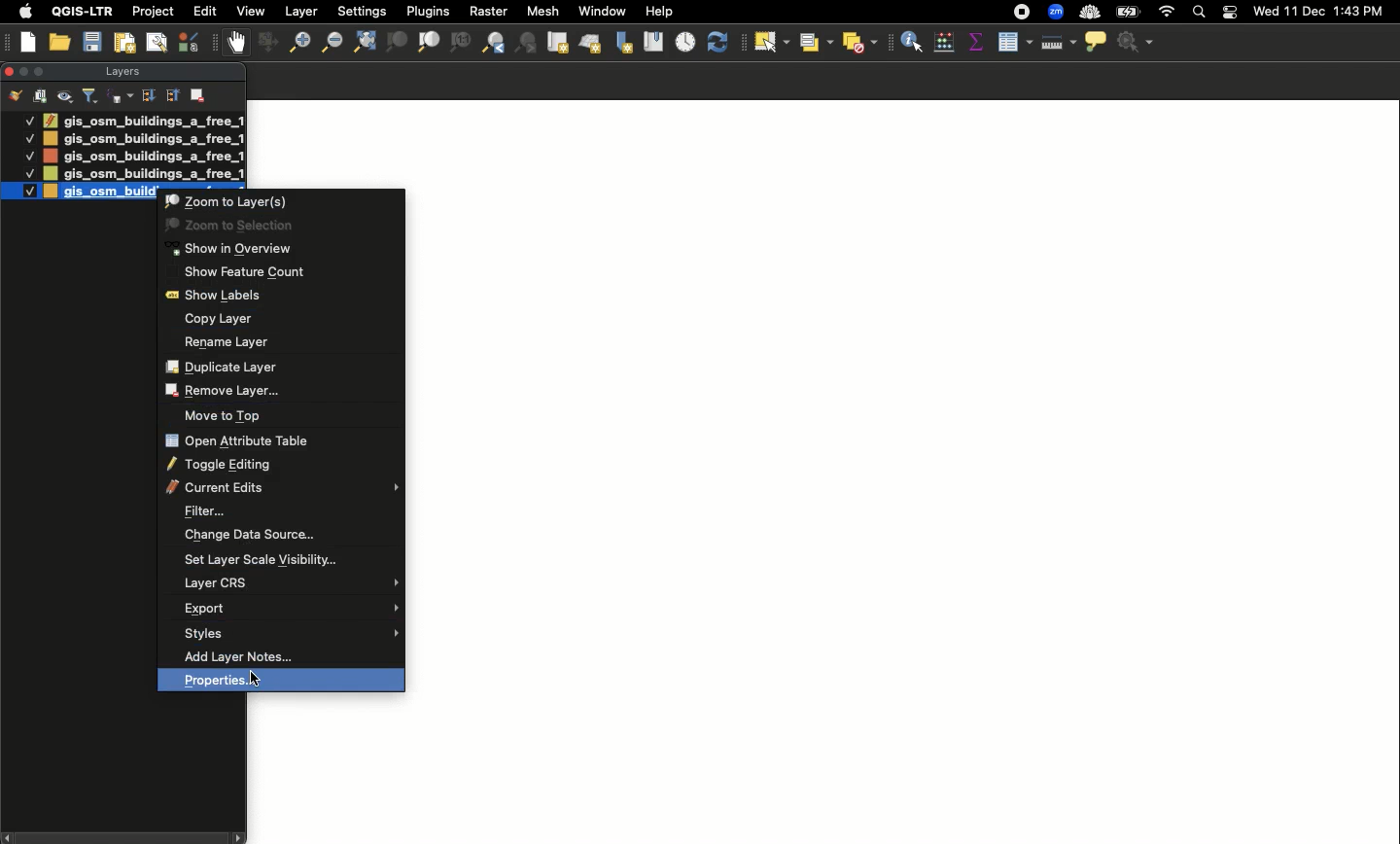  What do you see at coordinates (1227, 13) in the screenshot?
I see `Notification` at bounding box center [1227, 13].